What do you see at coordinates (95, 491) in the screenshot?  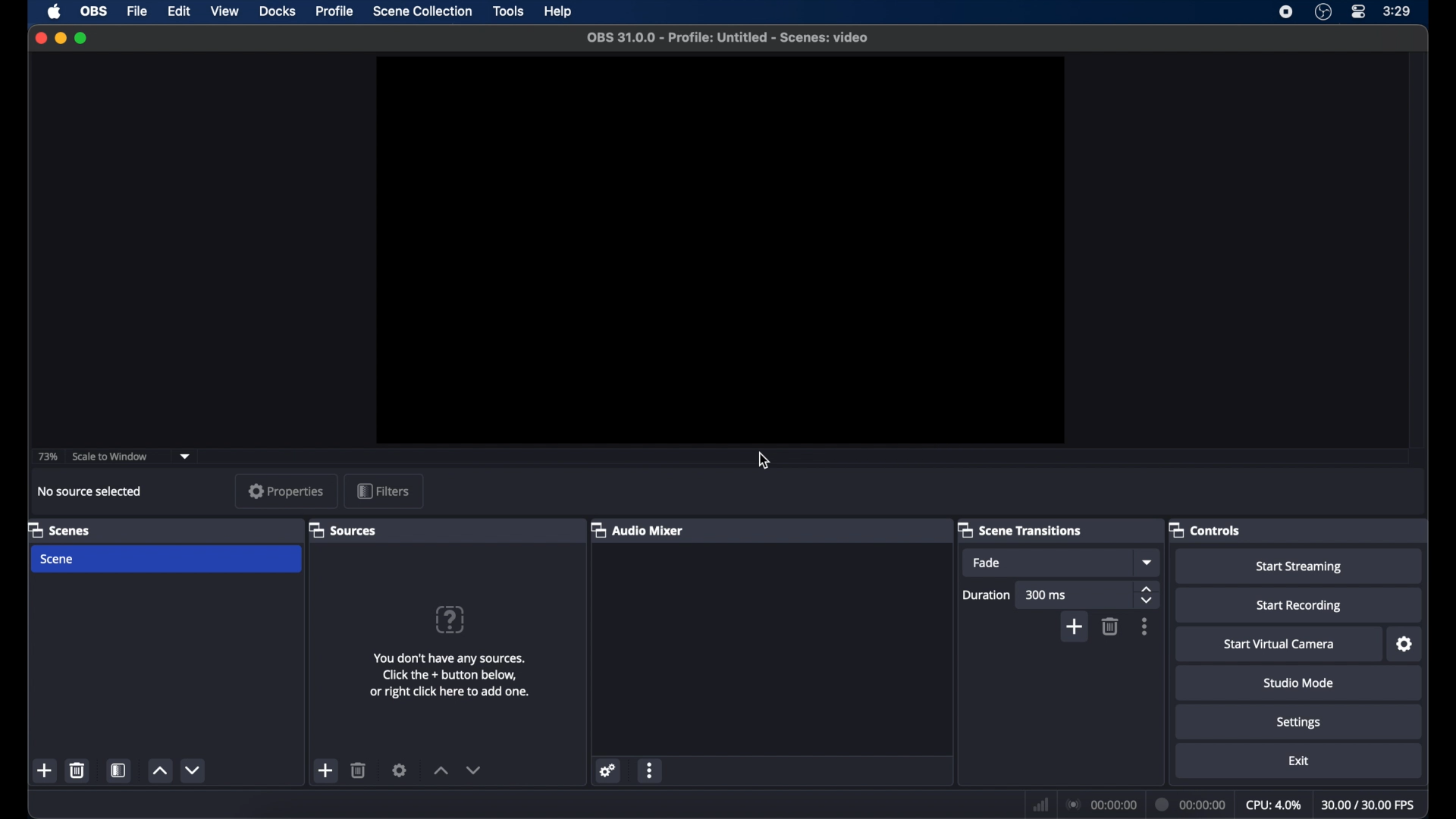 I see `no source selected` at bounding box center [95, 491].